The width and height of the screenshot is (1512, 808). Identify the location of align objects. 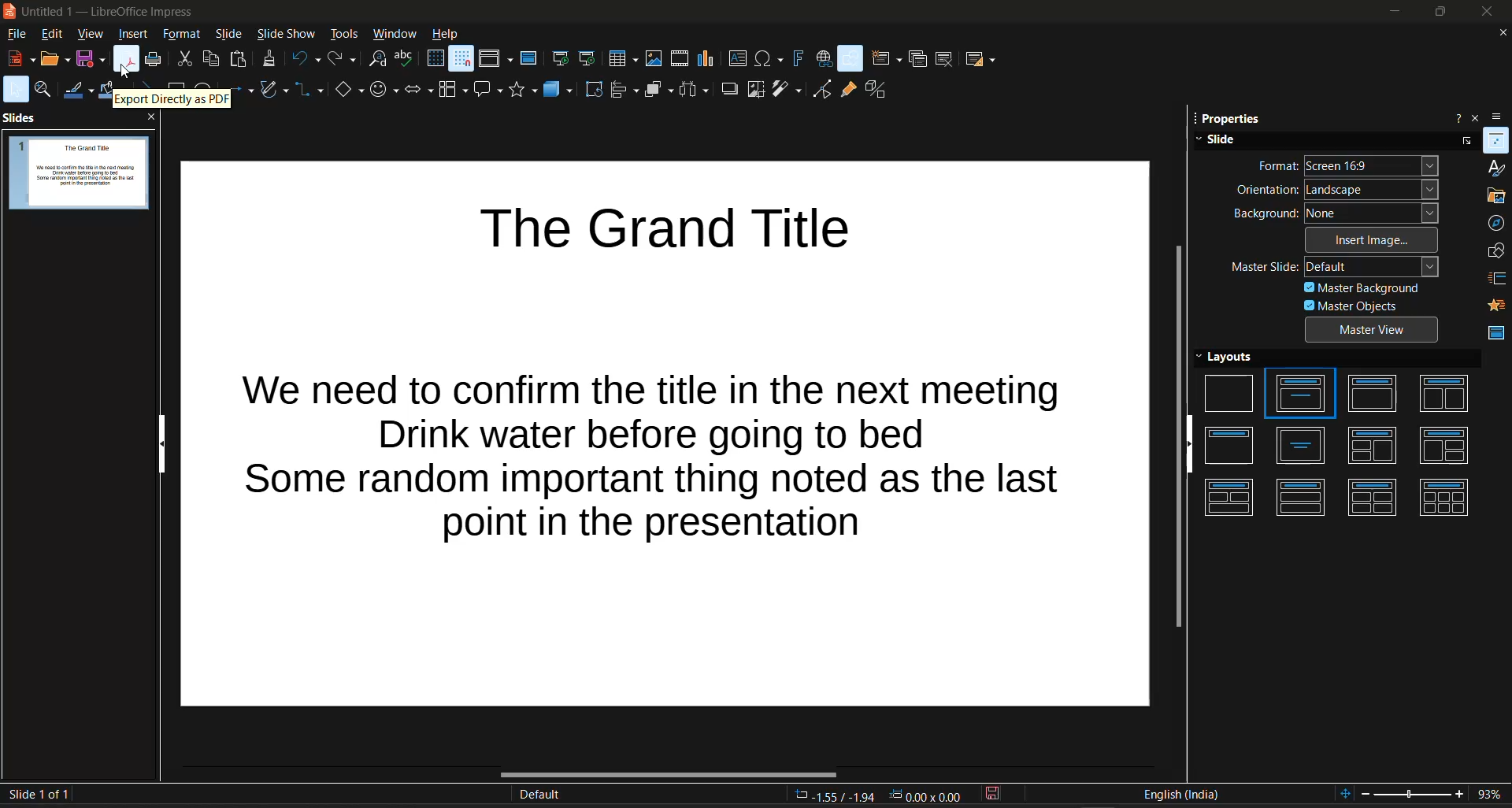
(626, 90).